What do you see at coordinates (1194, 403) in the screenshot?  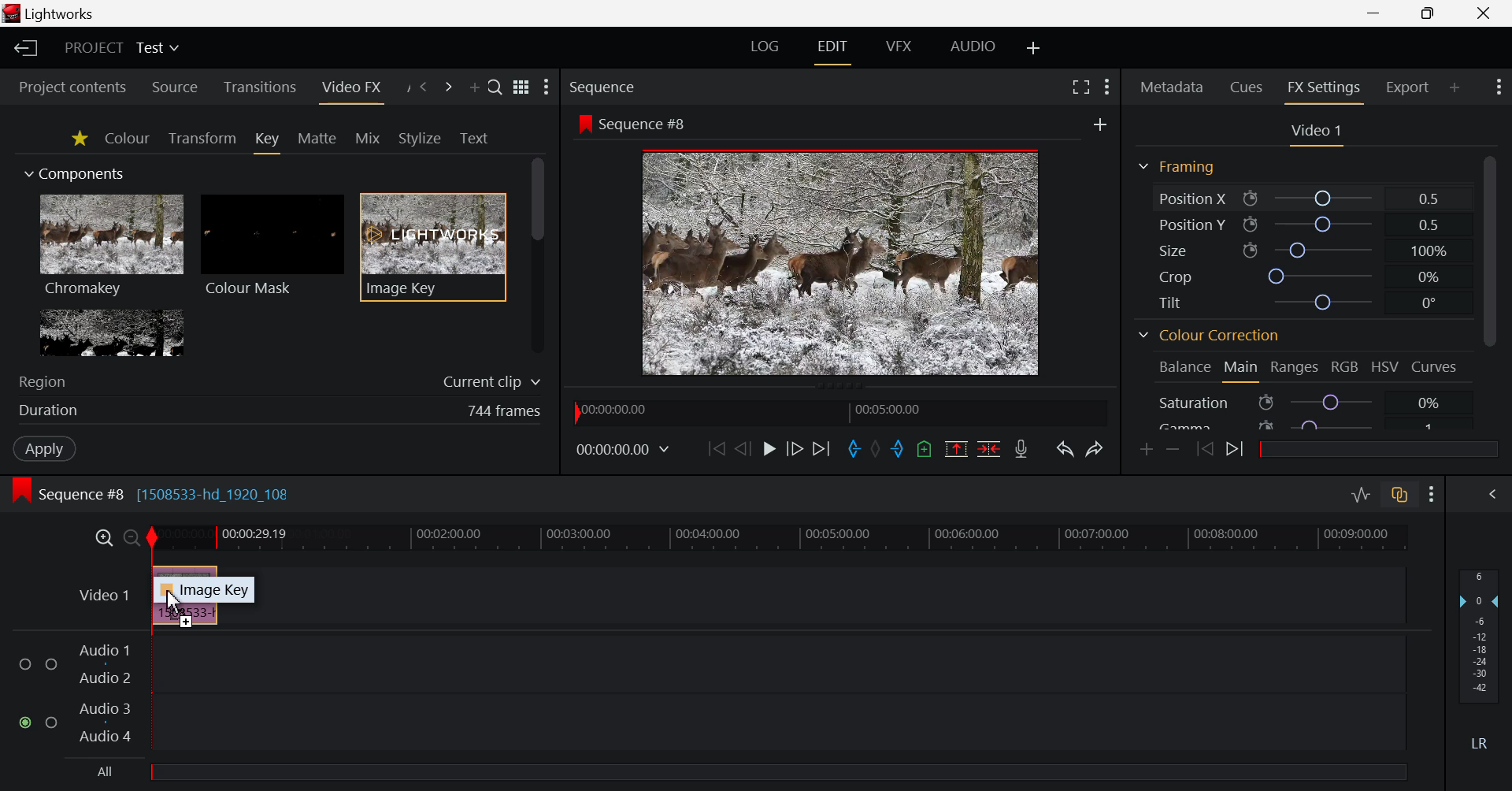 I see `Saturation` at bounding box center [1194, 403].